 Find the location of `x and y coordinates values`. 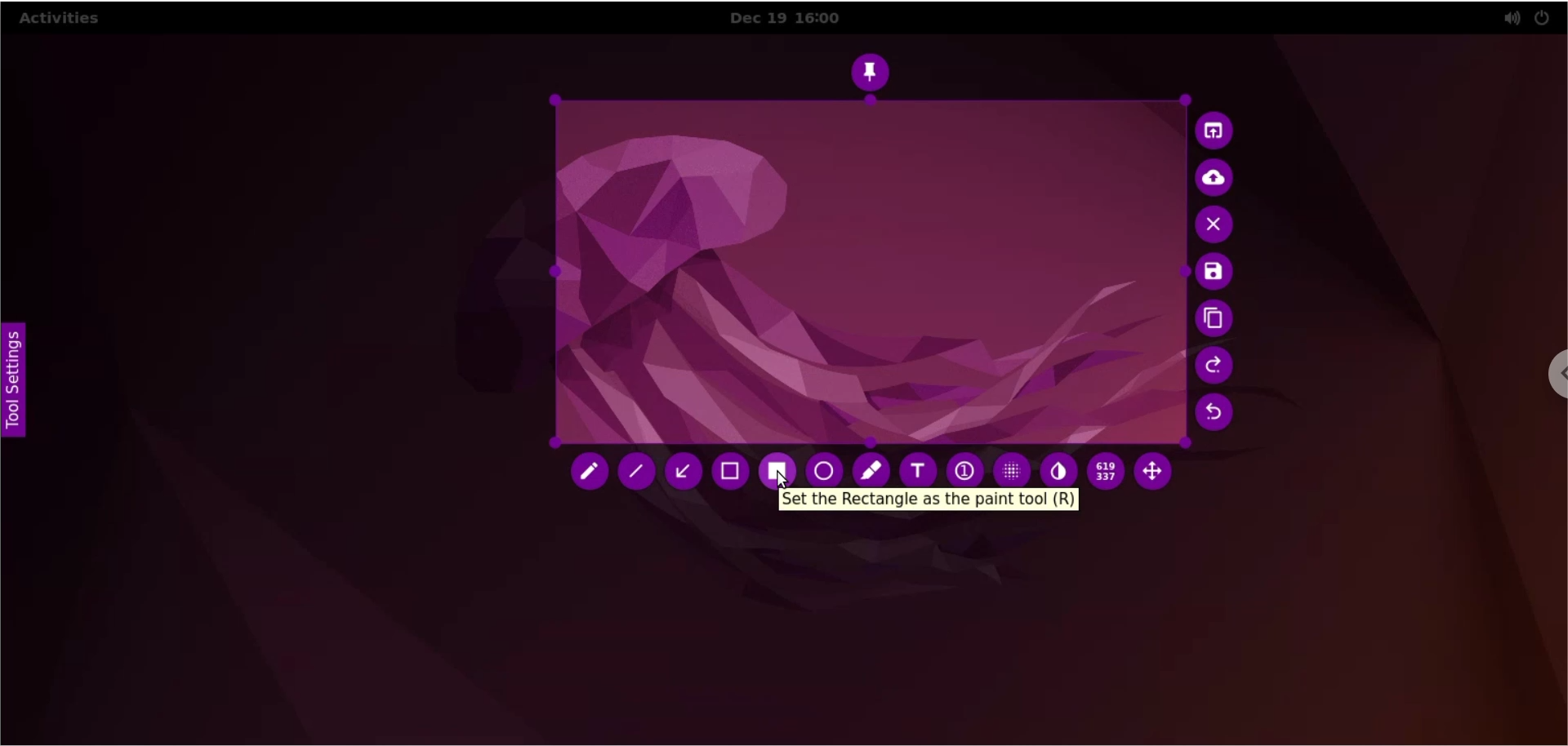

x and y coordinates values is located at coordinates (1106, 474).